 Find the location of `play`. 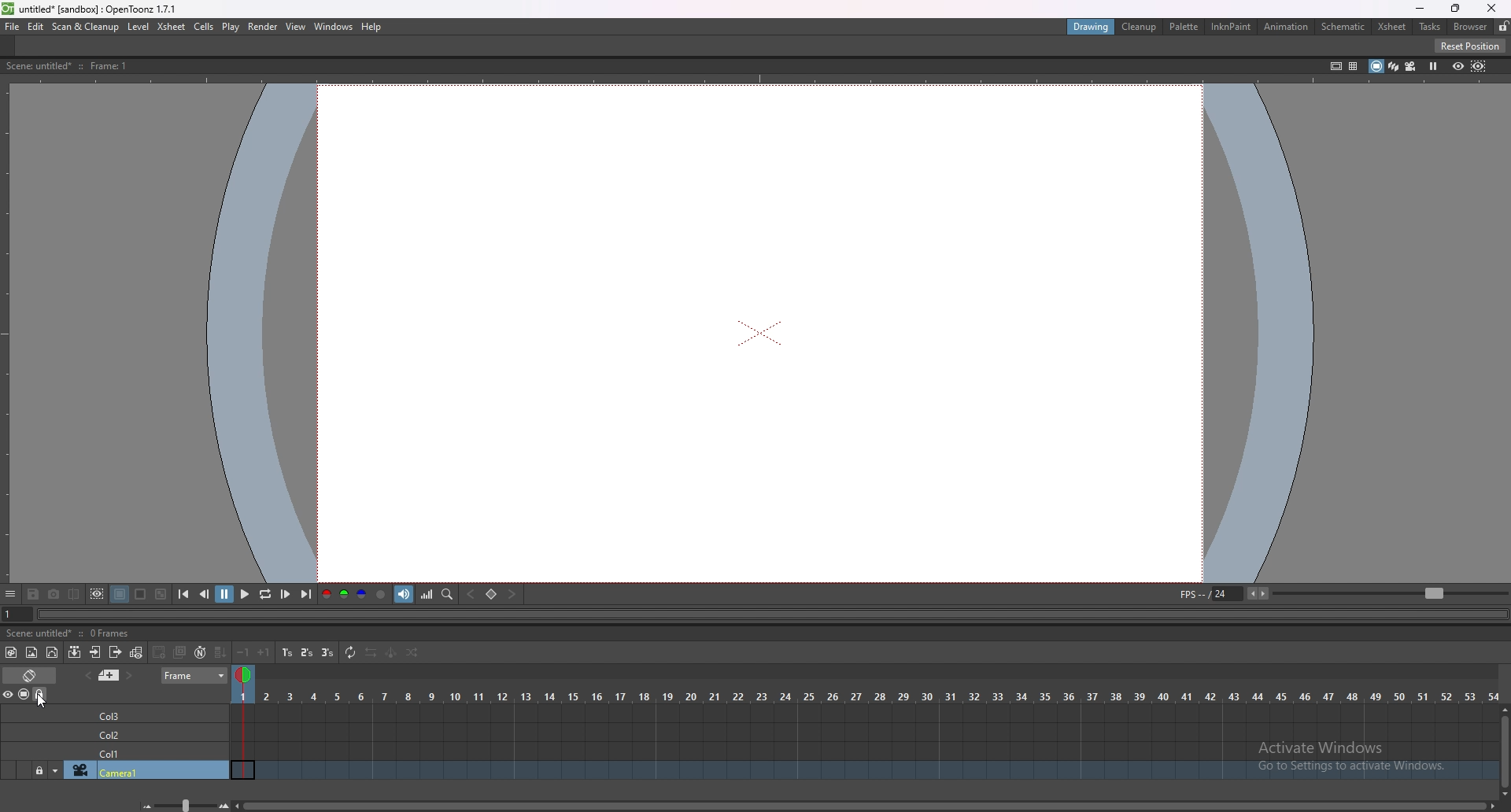

play is located at coordinates (244, 595).